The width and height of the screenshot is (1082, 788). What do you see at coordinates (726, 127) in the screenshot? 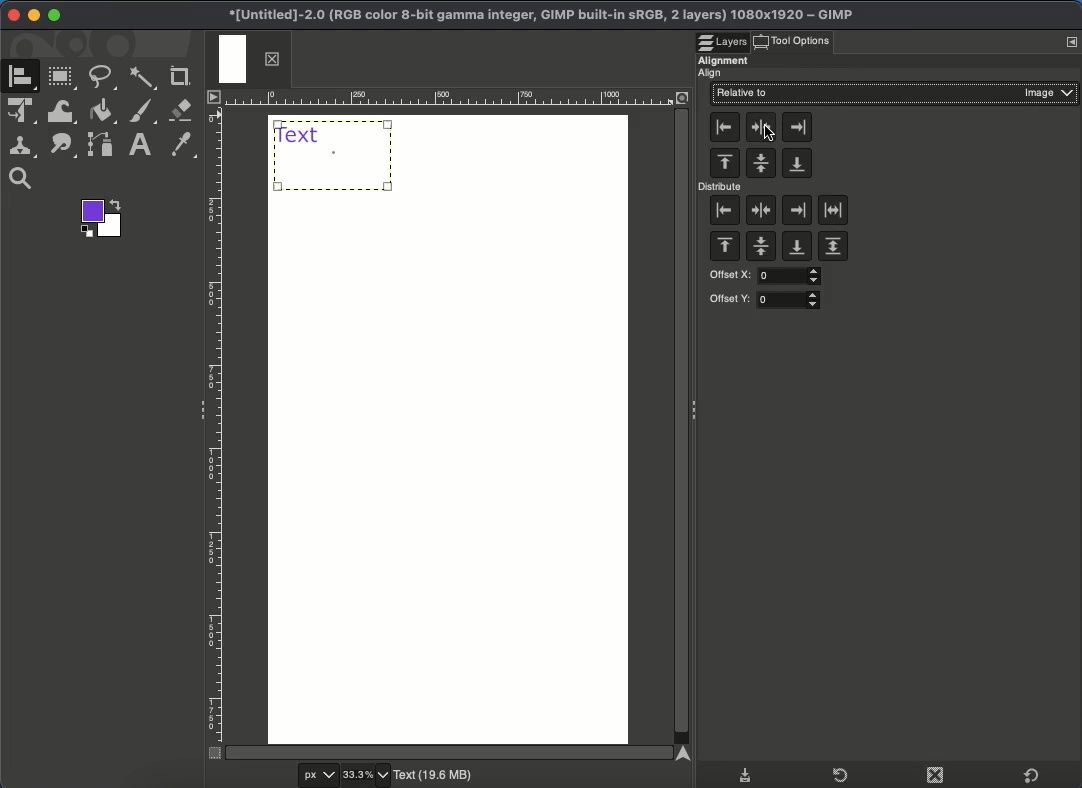
I see `Align to the left` at bounding box center [726, 127].